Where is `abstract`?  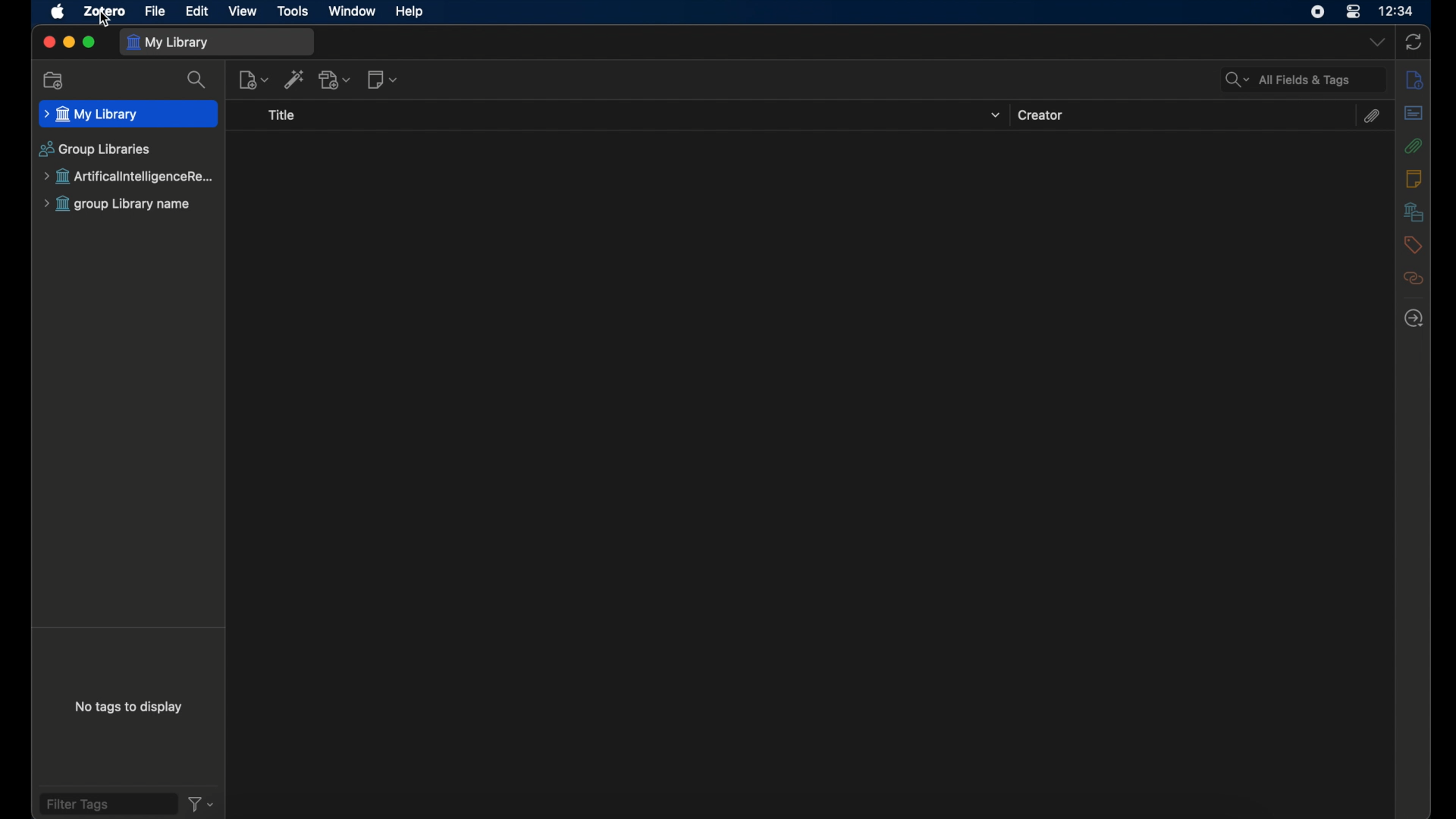 abstract is located at coordinates (1413, 113).